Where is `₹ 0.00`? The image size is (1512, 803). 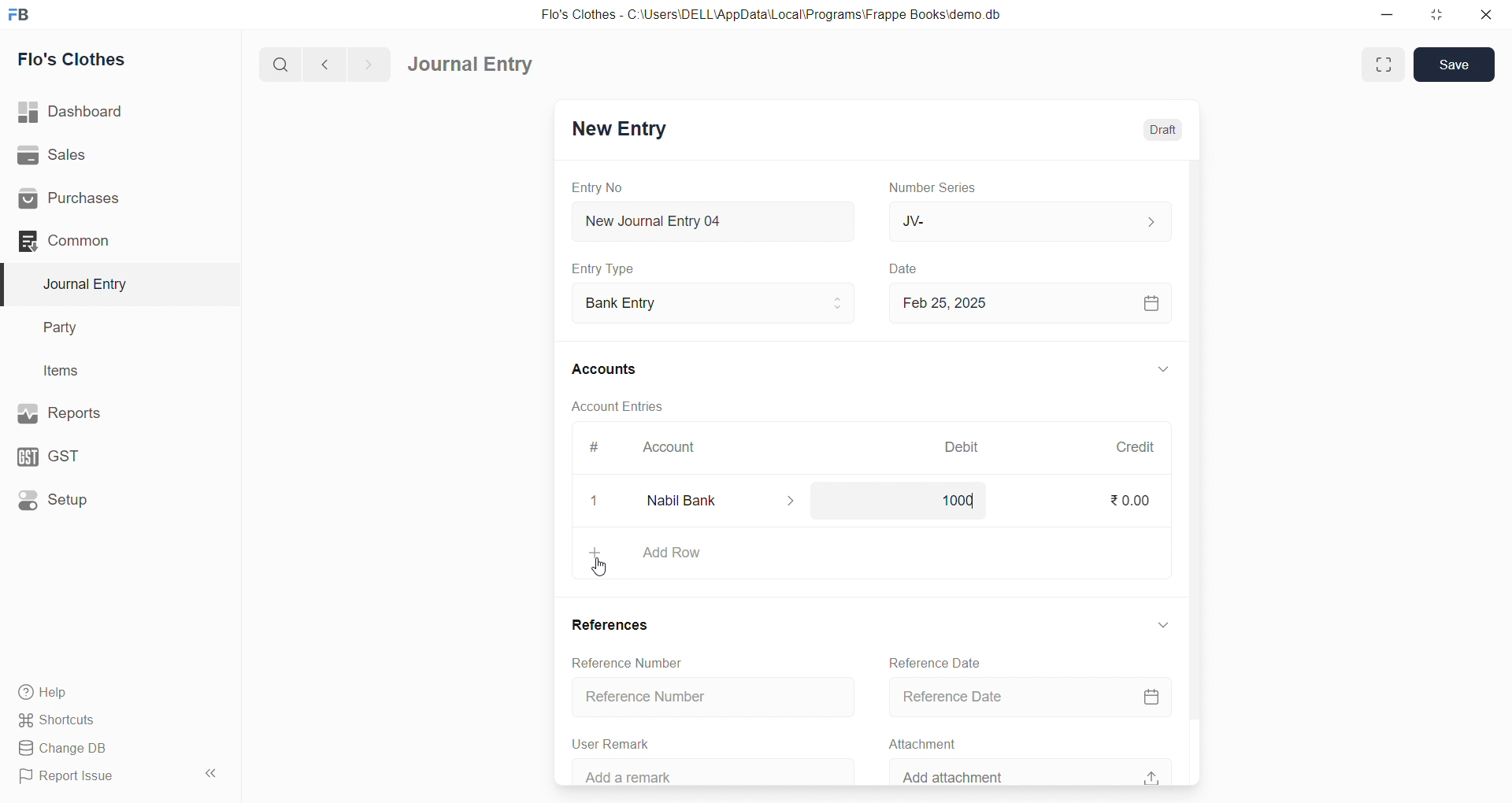 ₹ 0.00 is located at coordinates (1128, 503).